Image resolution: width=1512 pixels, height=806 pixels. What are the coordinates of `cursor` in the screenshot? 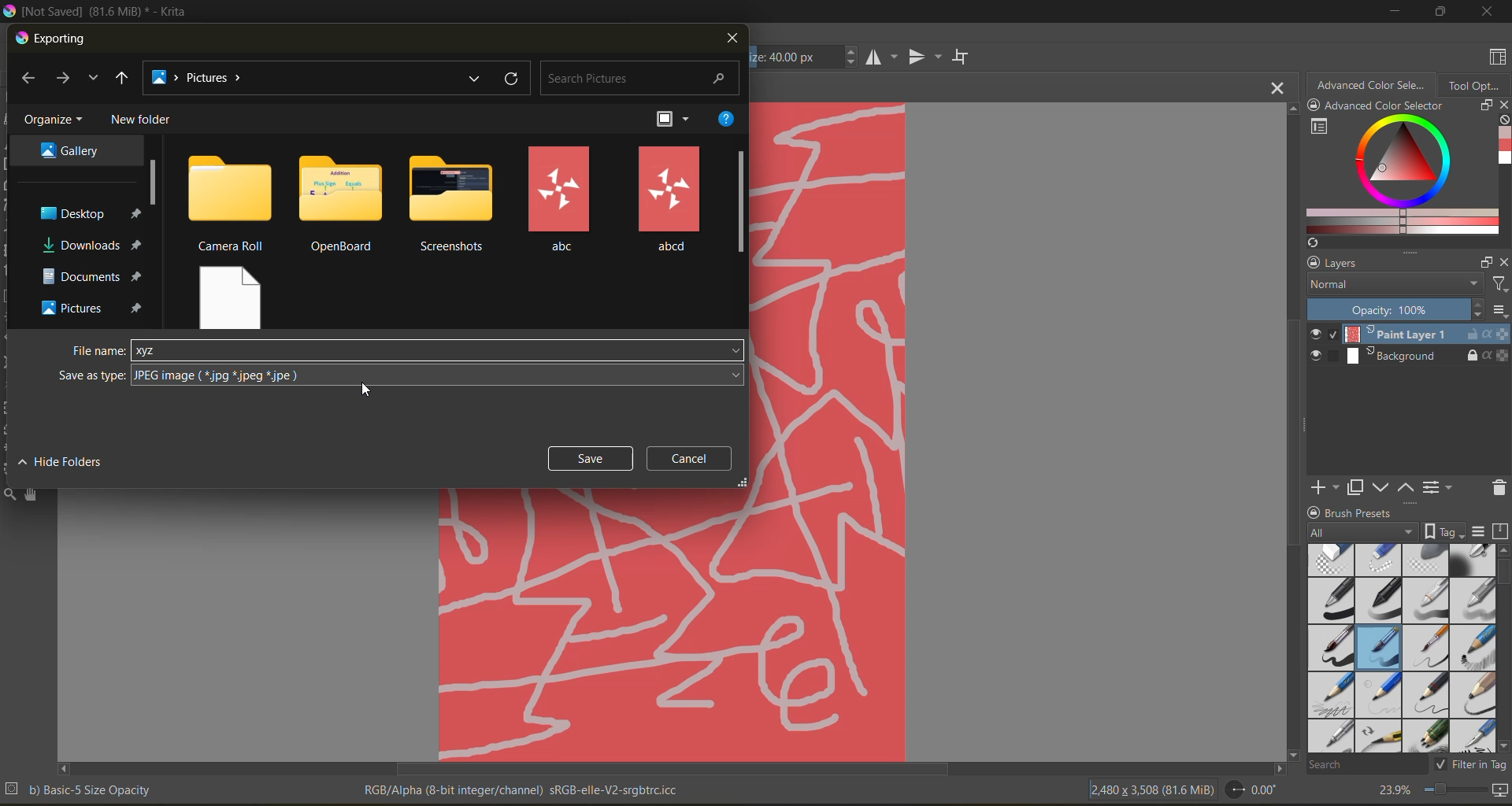 It's located at (372, 390).